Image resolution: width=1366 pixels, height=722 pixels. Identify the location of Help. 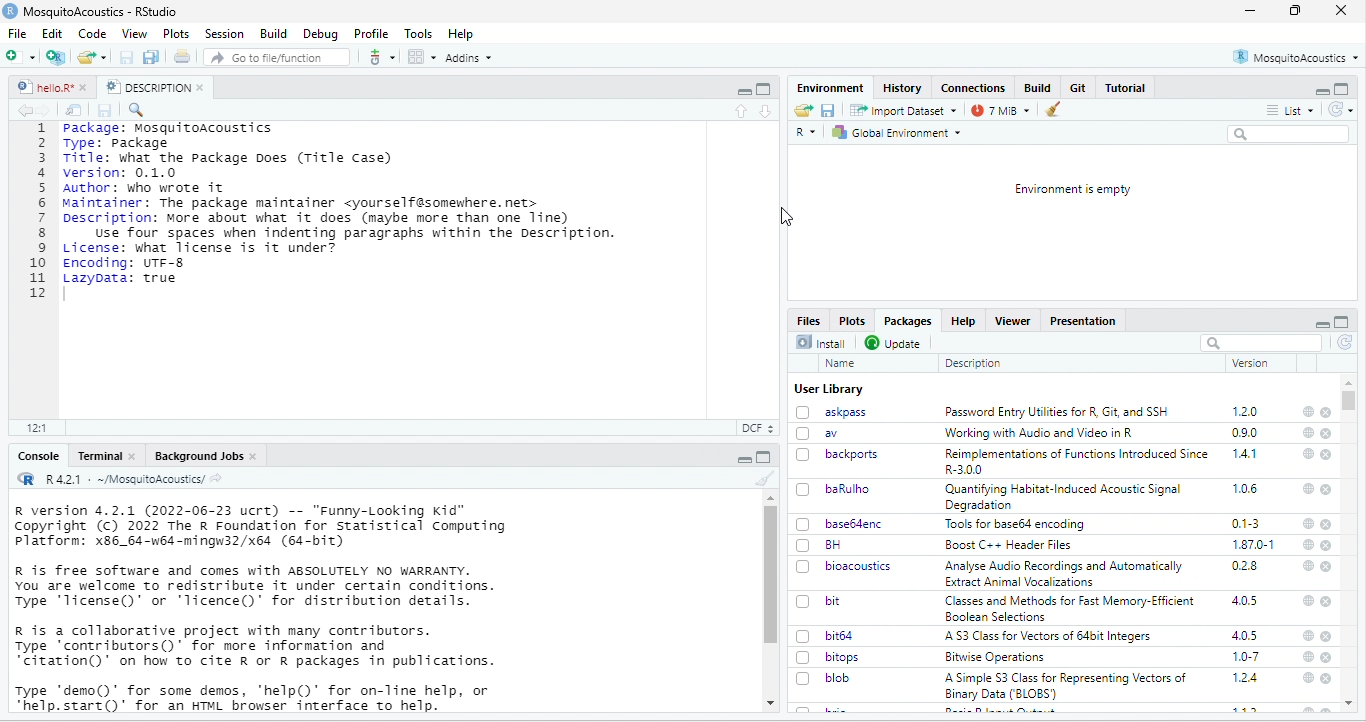
(966, 322).